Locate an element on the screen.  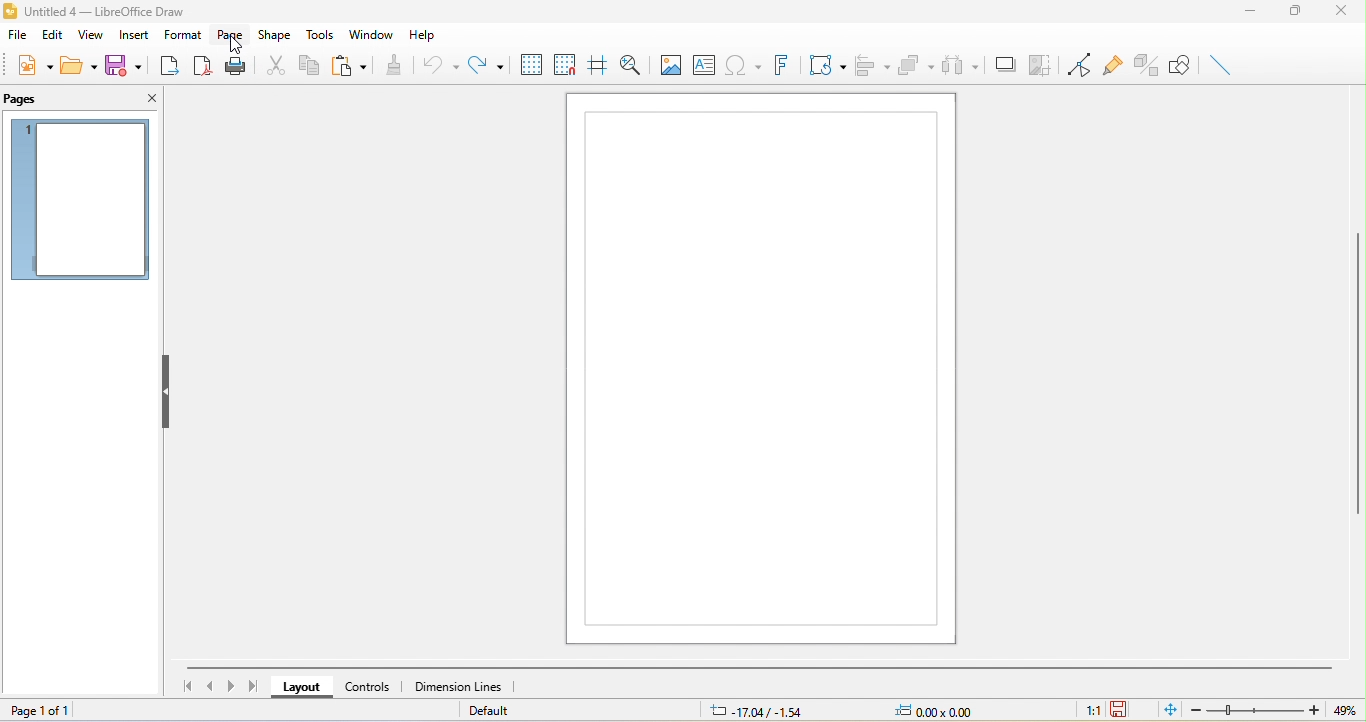
the document has not been modified since the last save is located at coordinates (1130, 709).